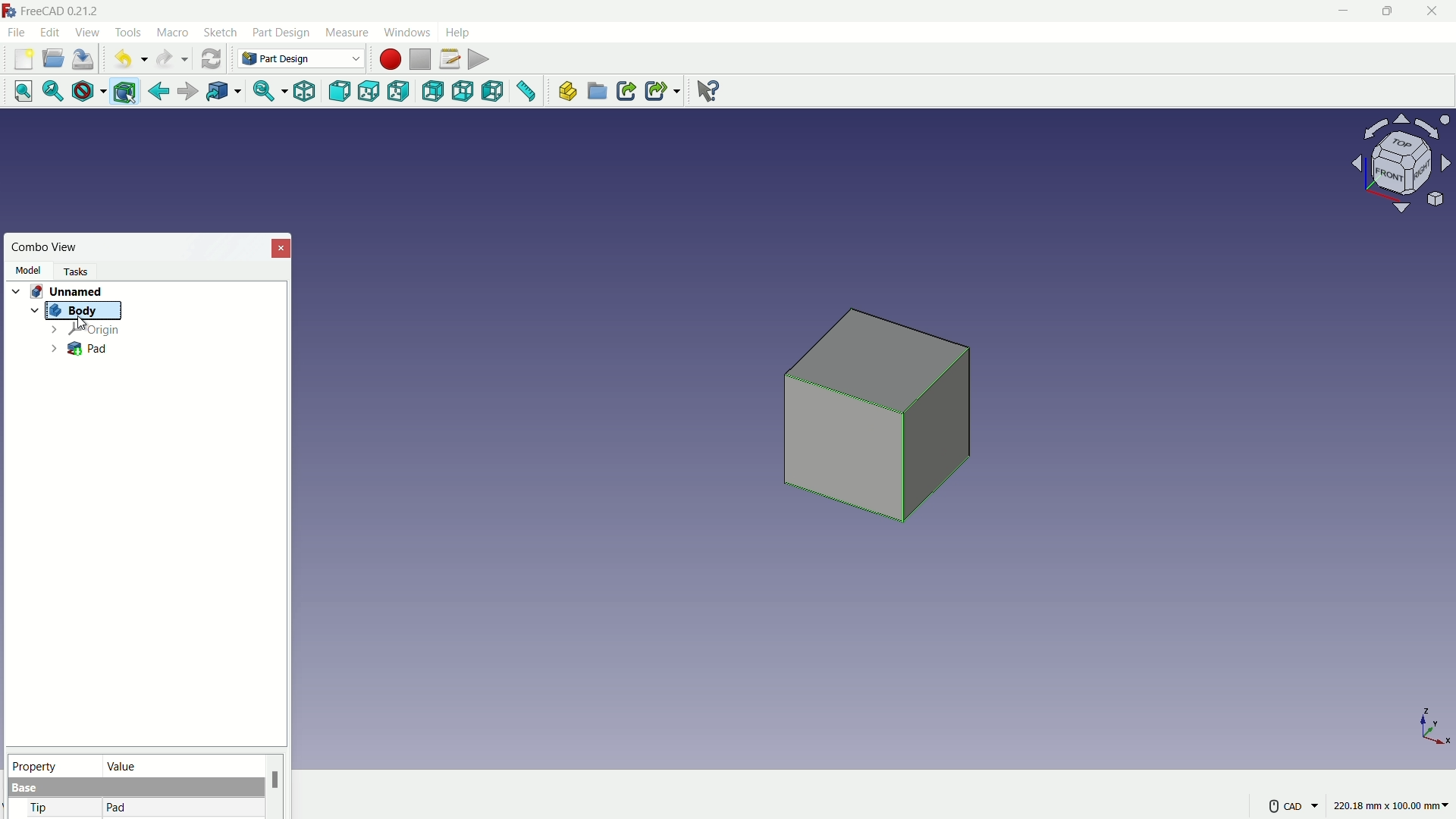  Describe the element at coordinates (704, 89) in the screenshot. I see `help extension` at that location.